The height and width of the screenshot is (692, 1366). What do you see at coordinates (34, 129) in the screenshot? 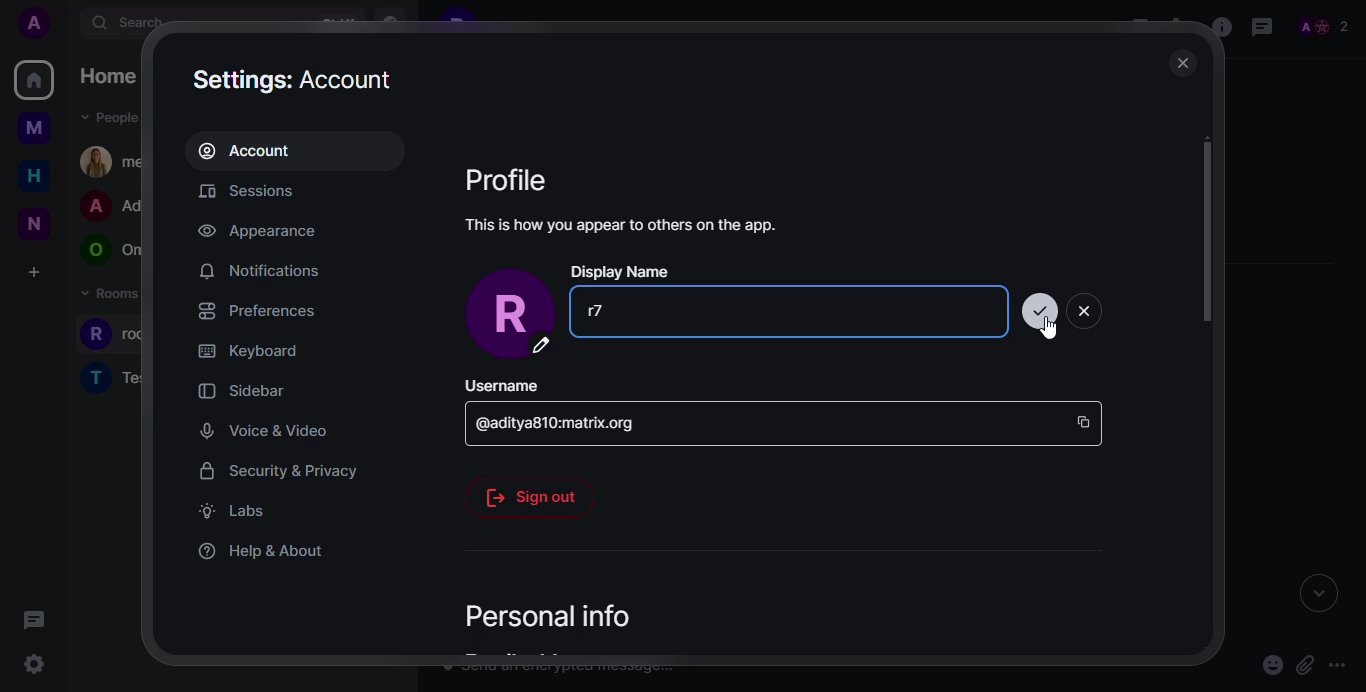
I see `myspace` at bounding box center [34, 129].